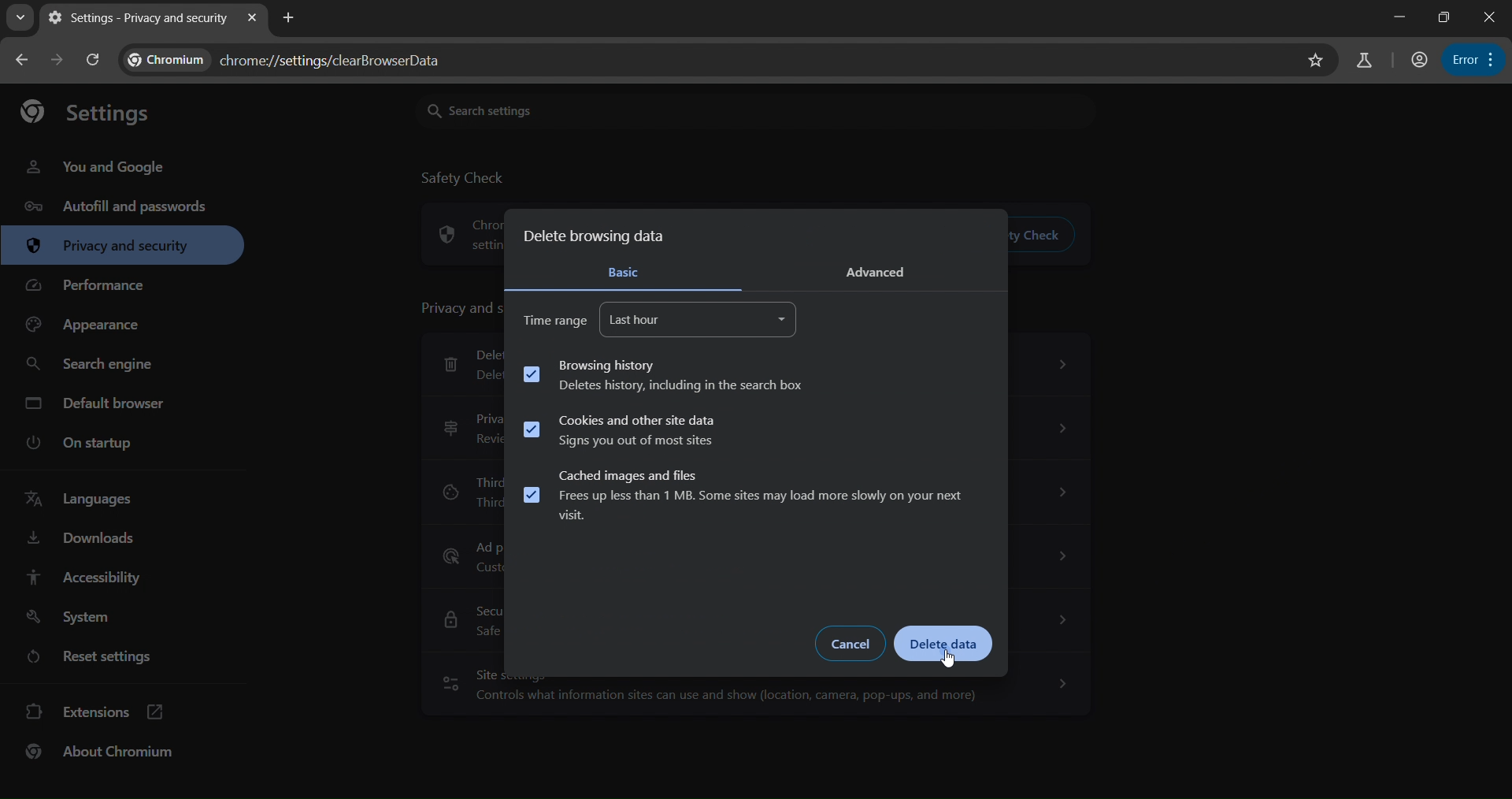 The image size is (1512, 799). Describe the element at coordinates (290, 19) in the screenshot. I see `new tab` at that location.